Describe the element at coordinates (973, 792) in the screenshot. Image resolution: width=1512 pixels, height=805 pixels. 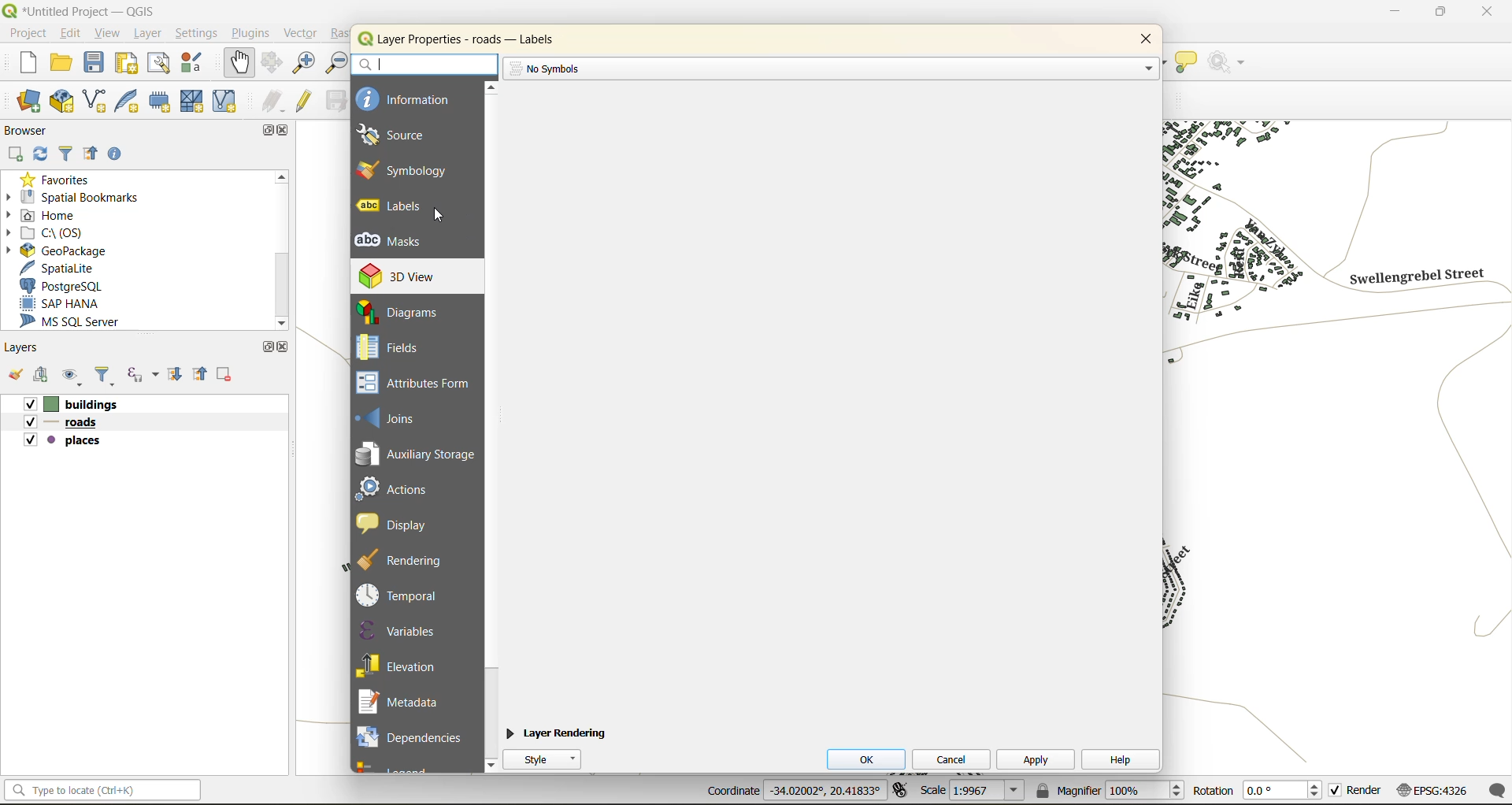
I see `scale` at that location.